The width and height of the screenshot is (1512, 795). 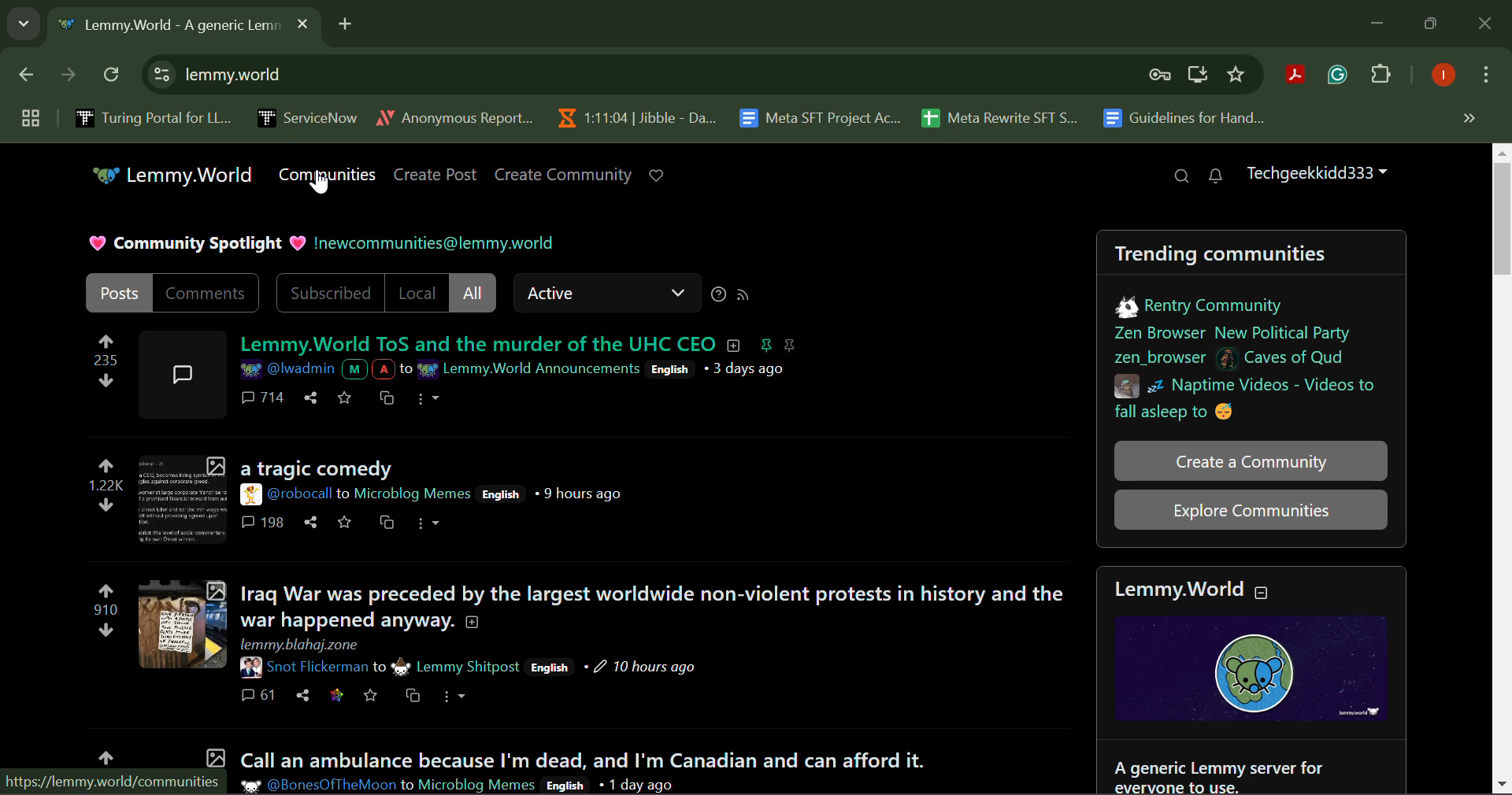 What do you see at coordinates (1433, 24) in the screenshot?
I see `Minimize` at bounding box center [1433, 24].